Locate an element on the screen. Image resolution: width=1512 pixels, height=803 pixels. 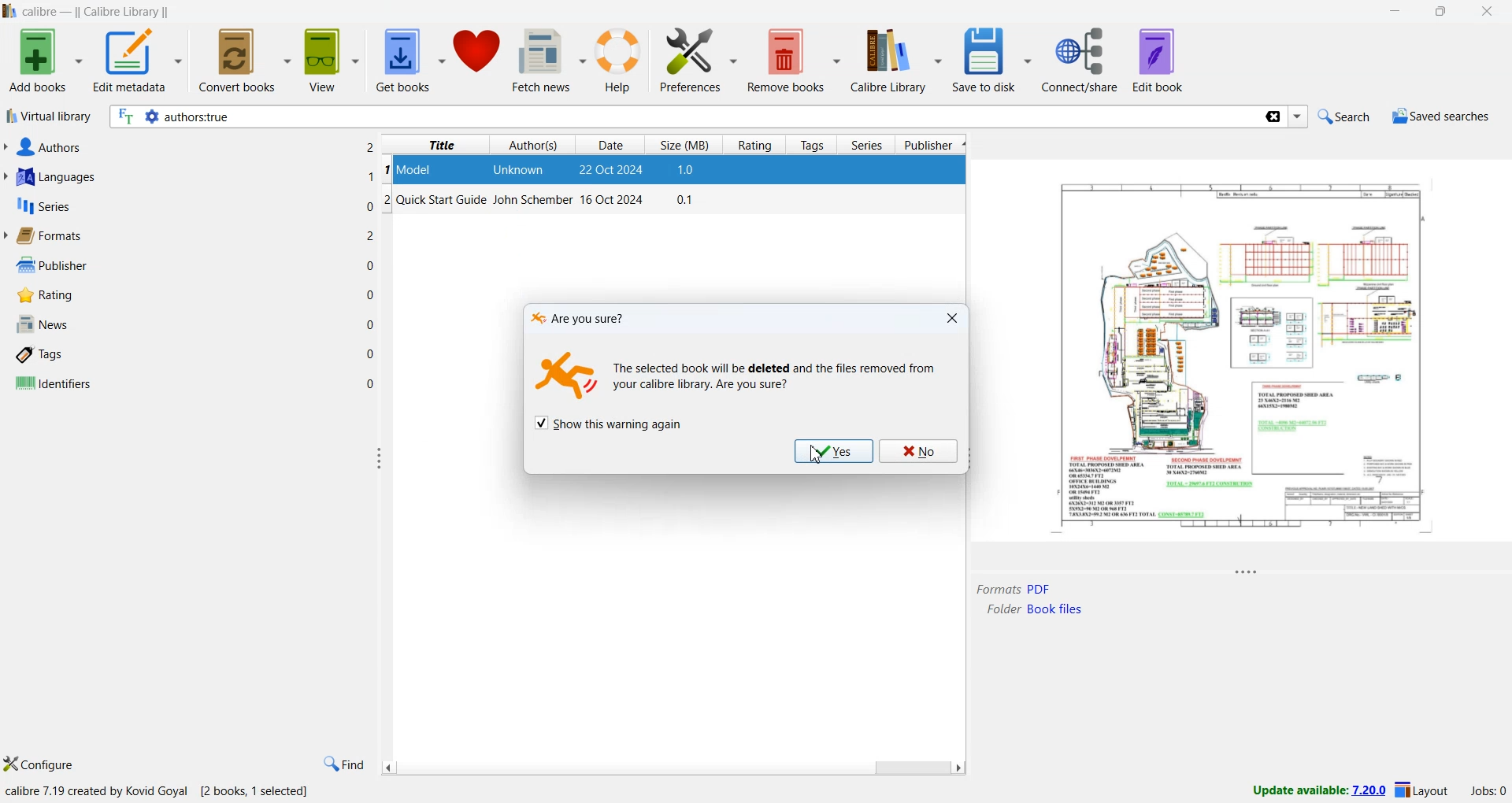
0 is located at coordinates (372, 324).